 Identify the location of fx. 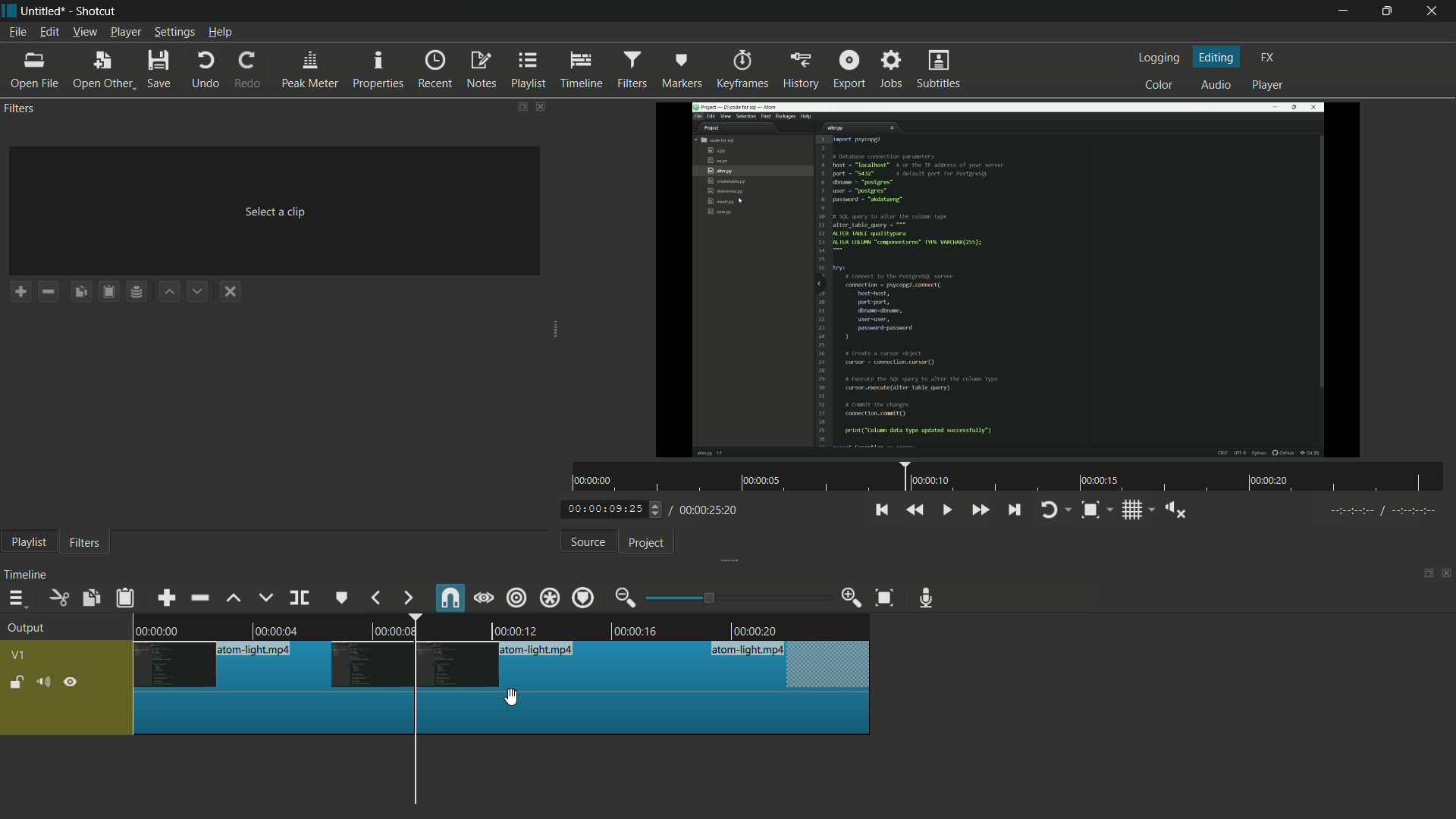
(1267, 58).